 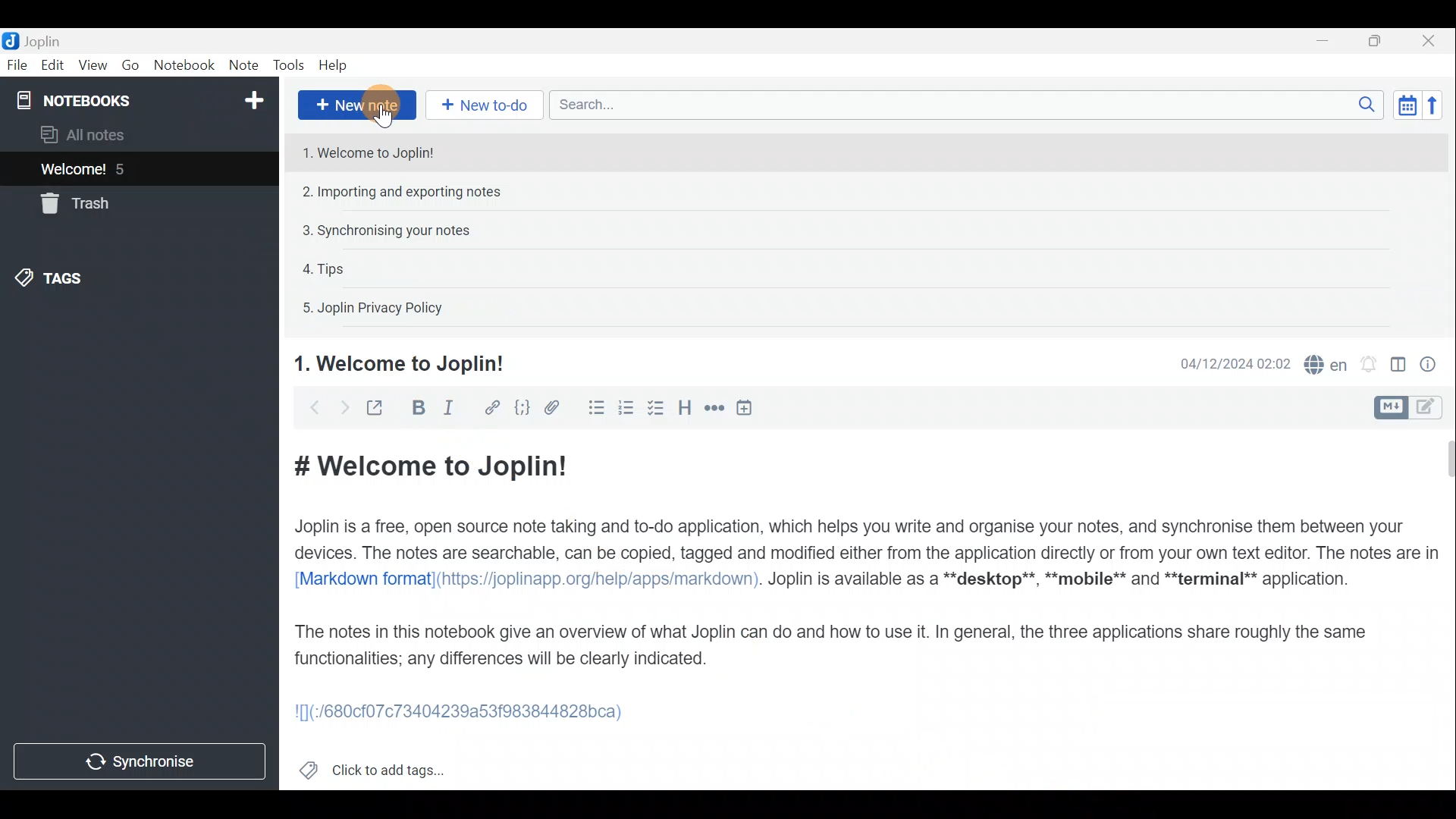 I want to click on 4.Tips, so click(x=326, y=268).